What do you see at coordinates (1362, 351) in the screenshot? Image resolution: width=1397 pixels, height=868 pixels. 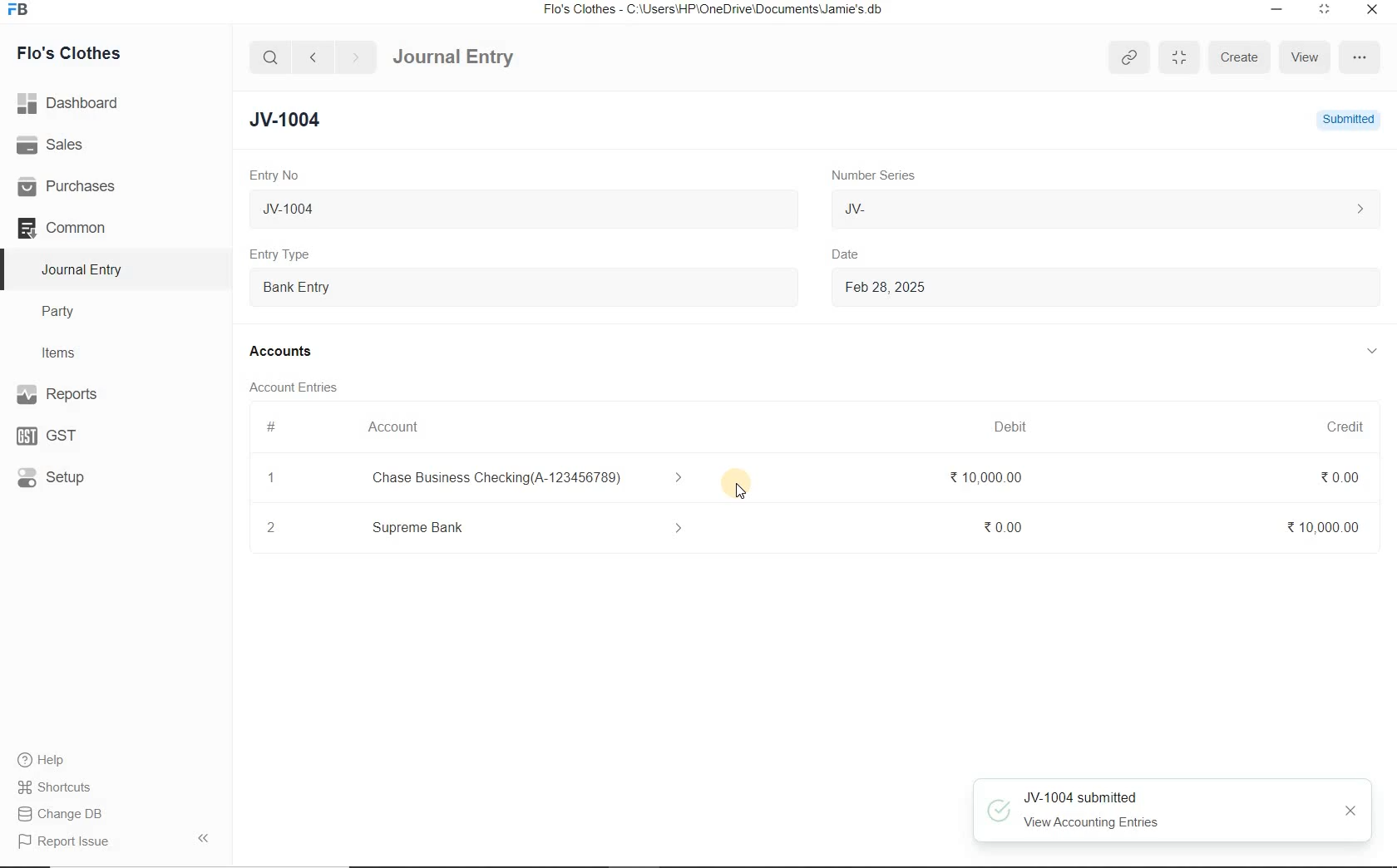 I see `collapse` at bounding box center [1362, 351].